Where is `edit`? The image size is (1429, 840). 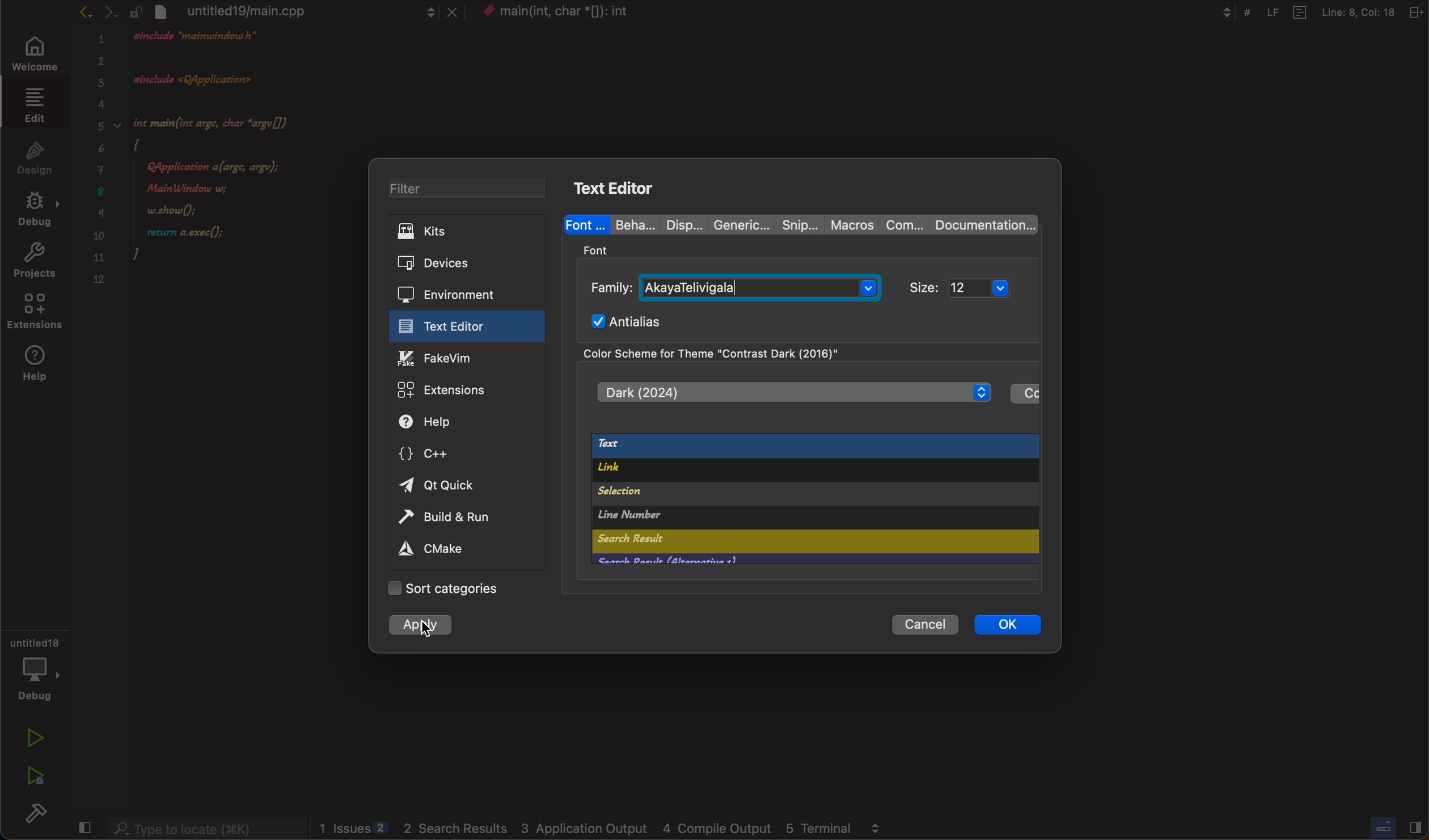 edit is located at coordinates (34, 107).